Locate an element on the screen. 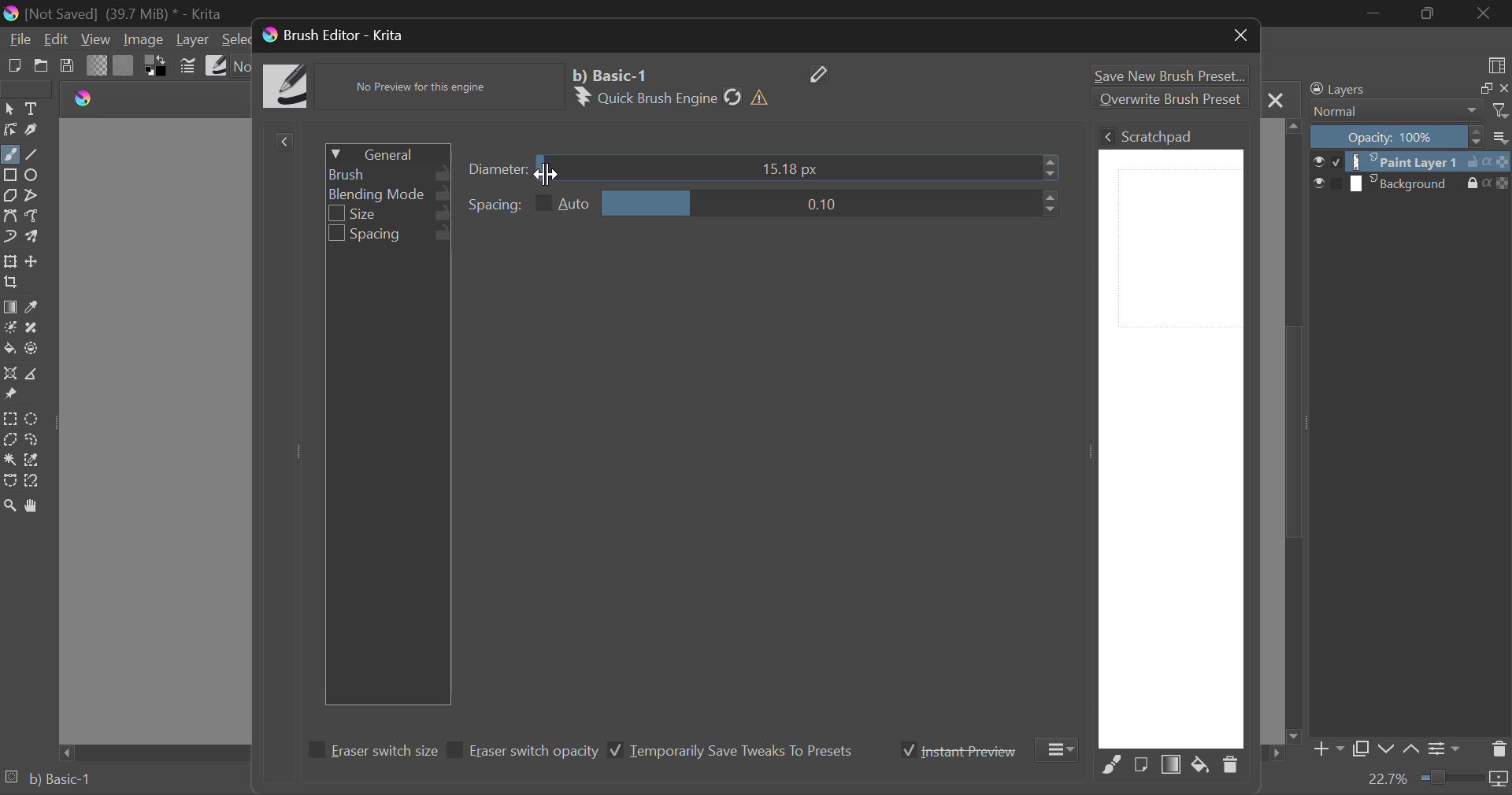 The width and height of the screenshot is (1512, 795). Open is located at coordinates (39, 65).